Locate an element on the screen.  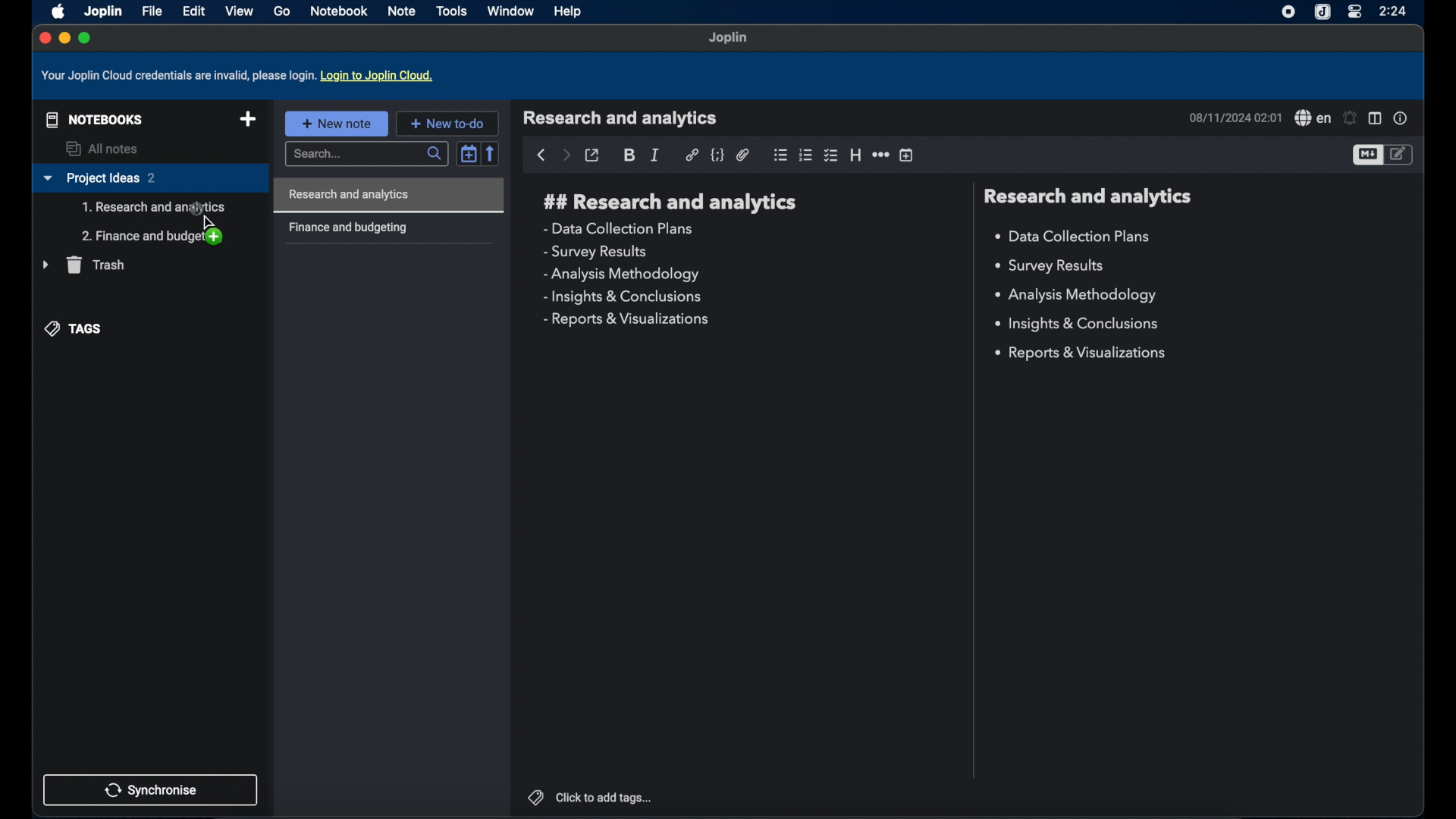
minimize is located at coordinates (64, 39).